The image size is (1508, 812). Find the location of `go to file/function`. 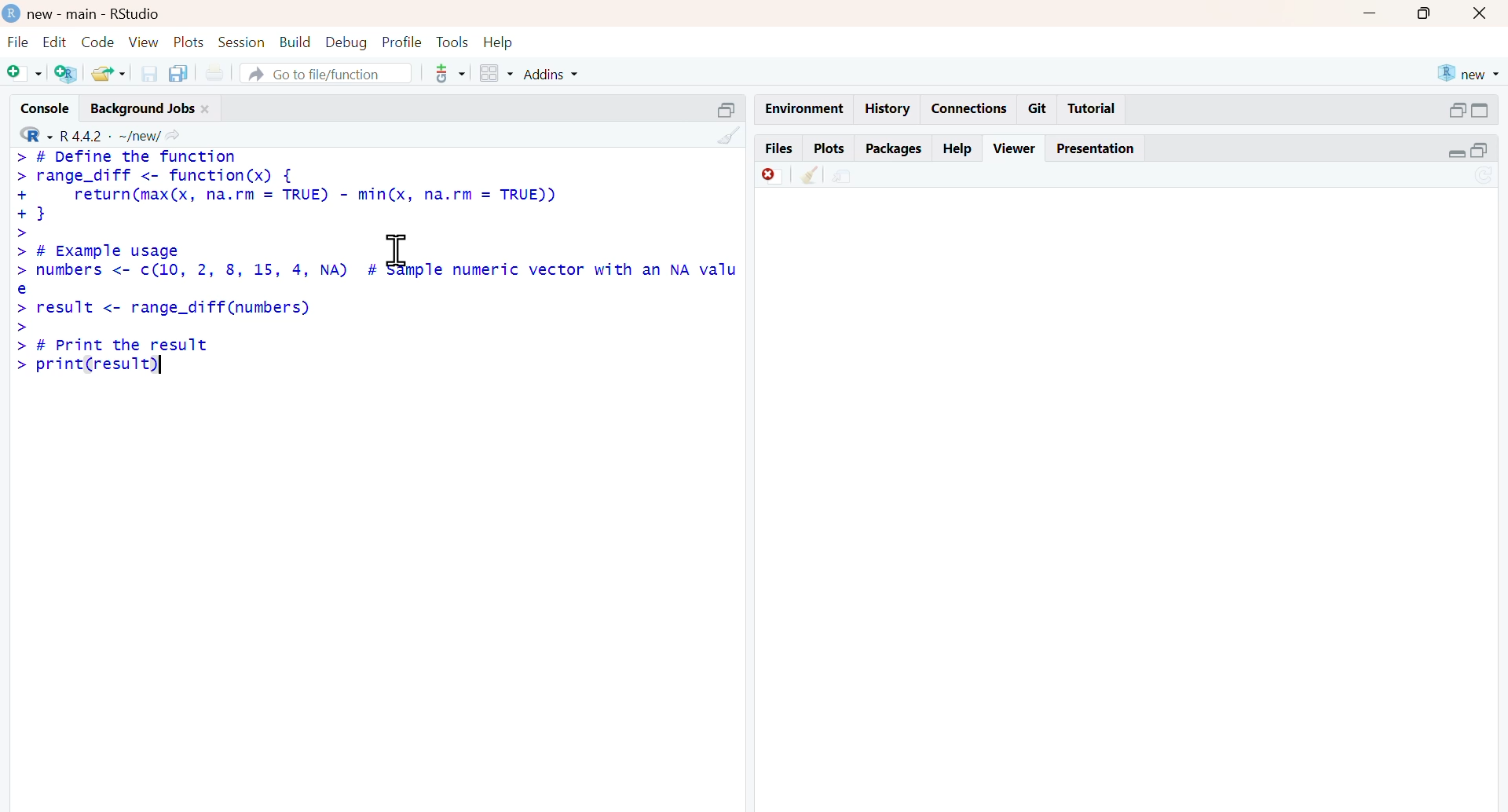

go to file/function is located at coordinates (327, 75).